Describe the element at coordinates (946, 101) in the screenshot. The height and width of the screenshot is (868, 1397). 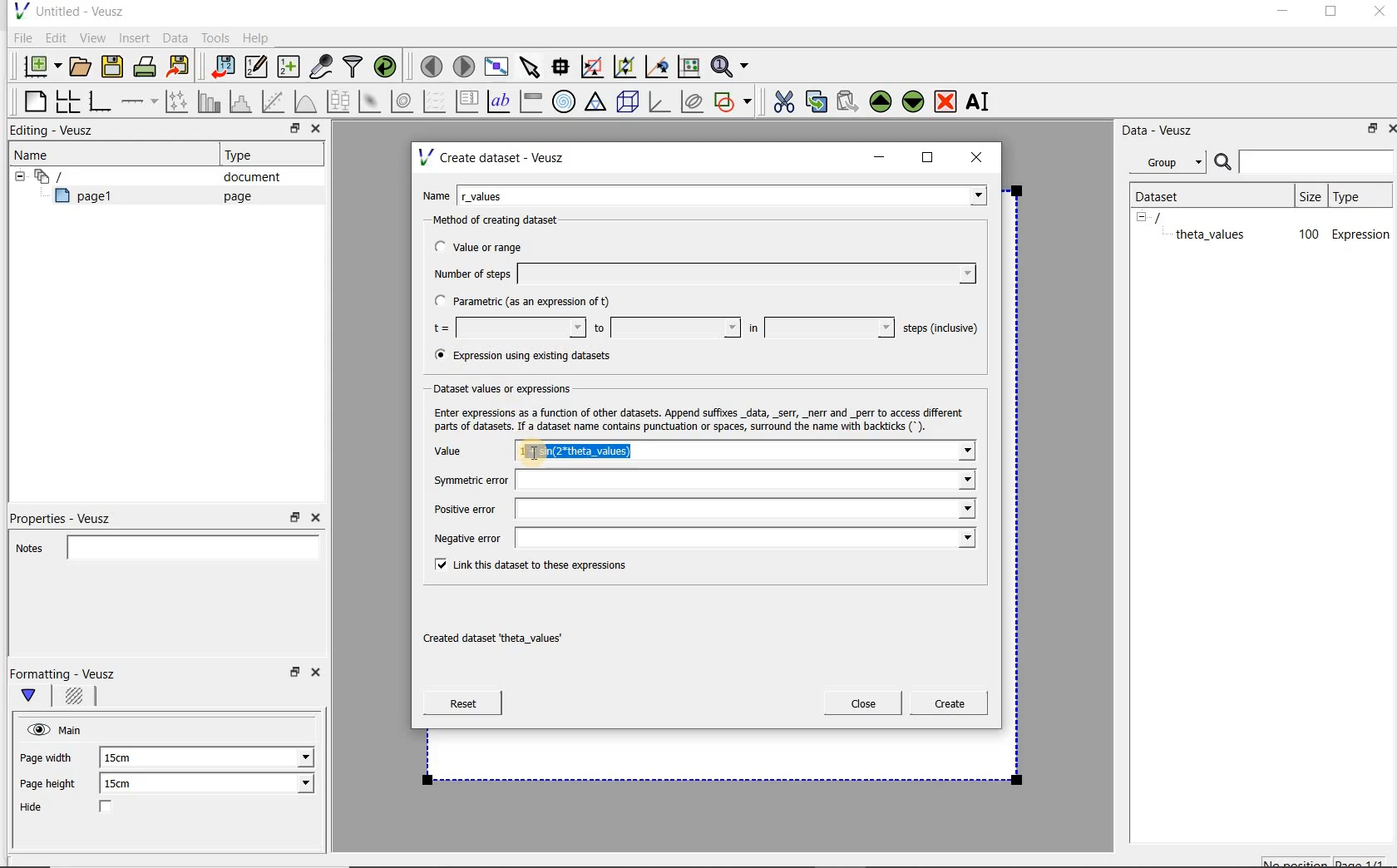
I see `remove the selected widget` at that location.